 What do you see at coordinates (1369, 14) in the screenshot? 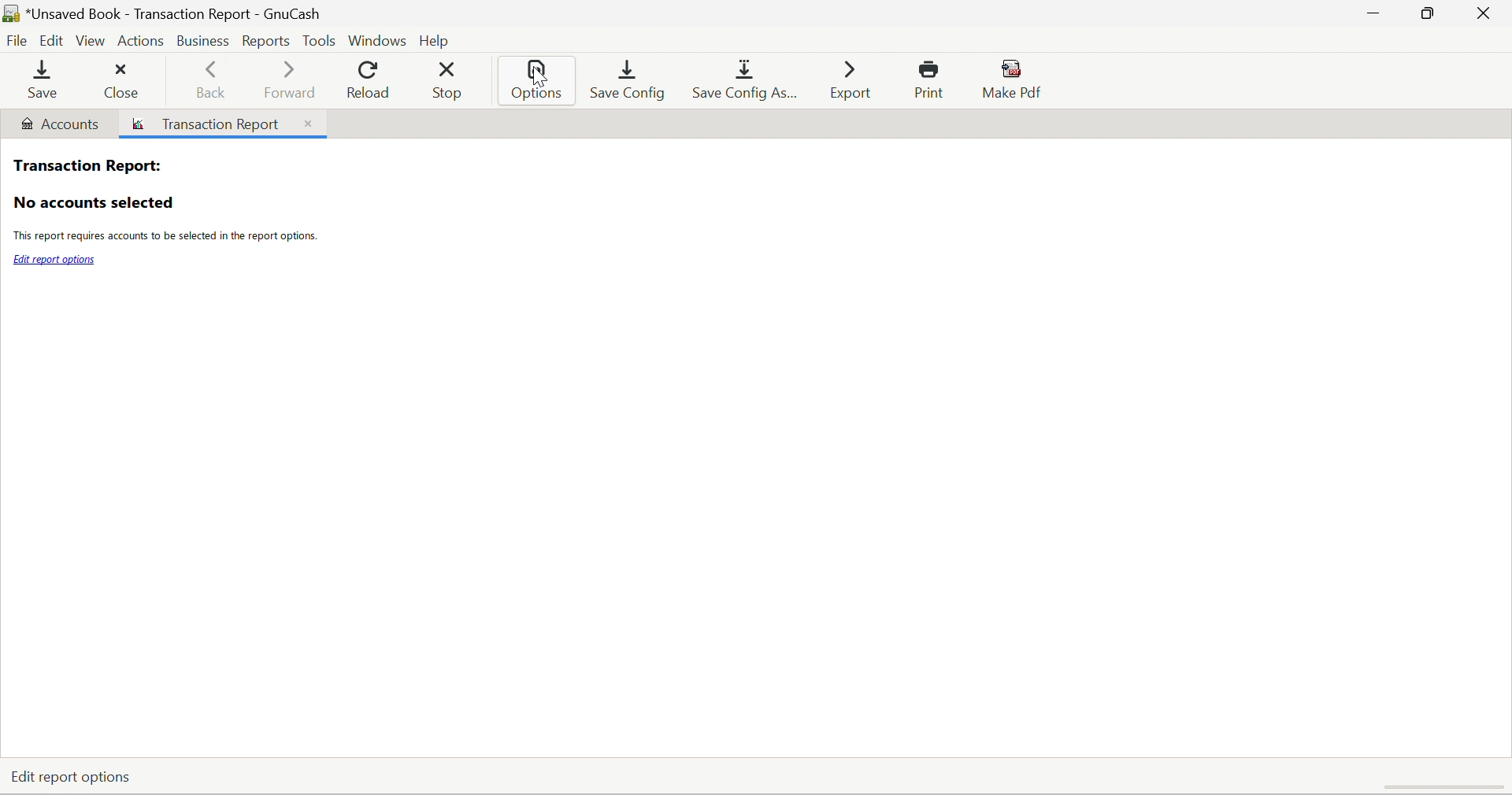
I see `Minimize` at bounding box center [1369, 14].